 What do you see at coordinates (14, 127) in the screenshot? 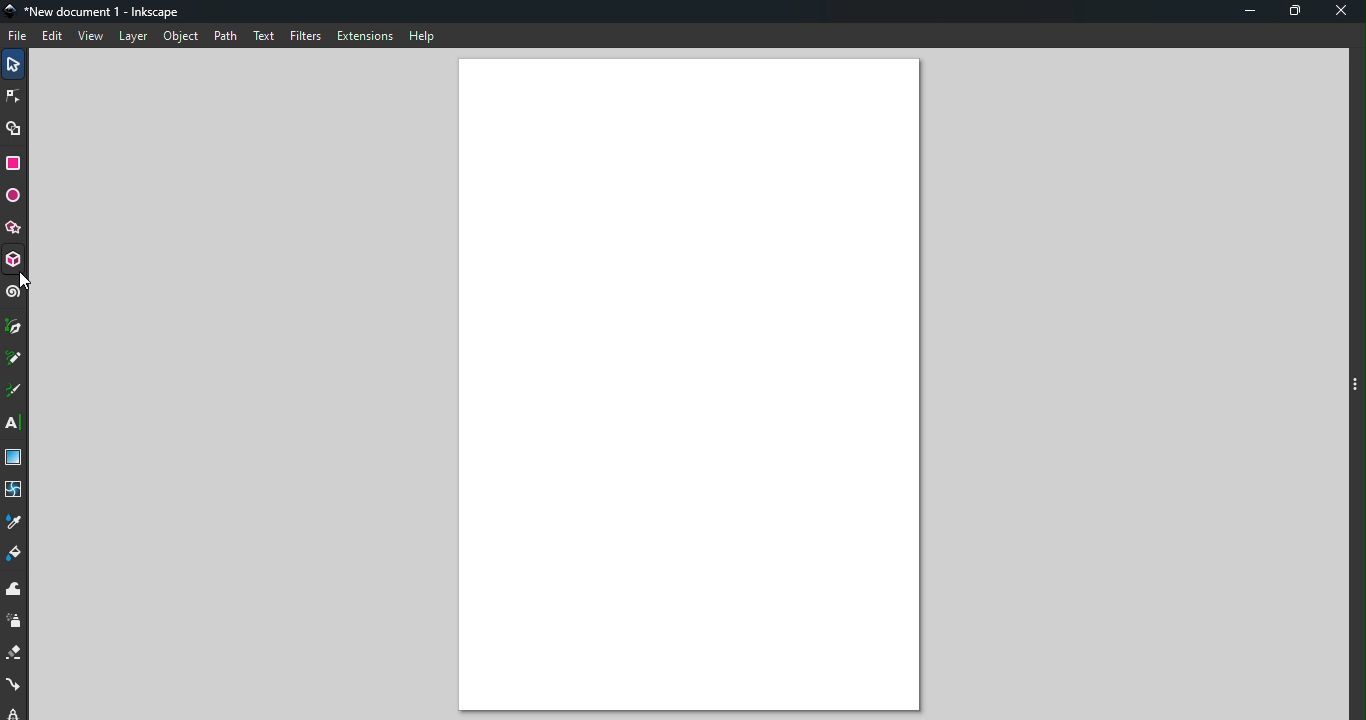
I see `Shape builder tool` at bounding box center [14, 127].